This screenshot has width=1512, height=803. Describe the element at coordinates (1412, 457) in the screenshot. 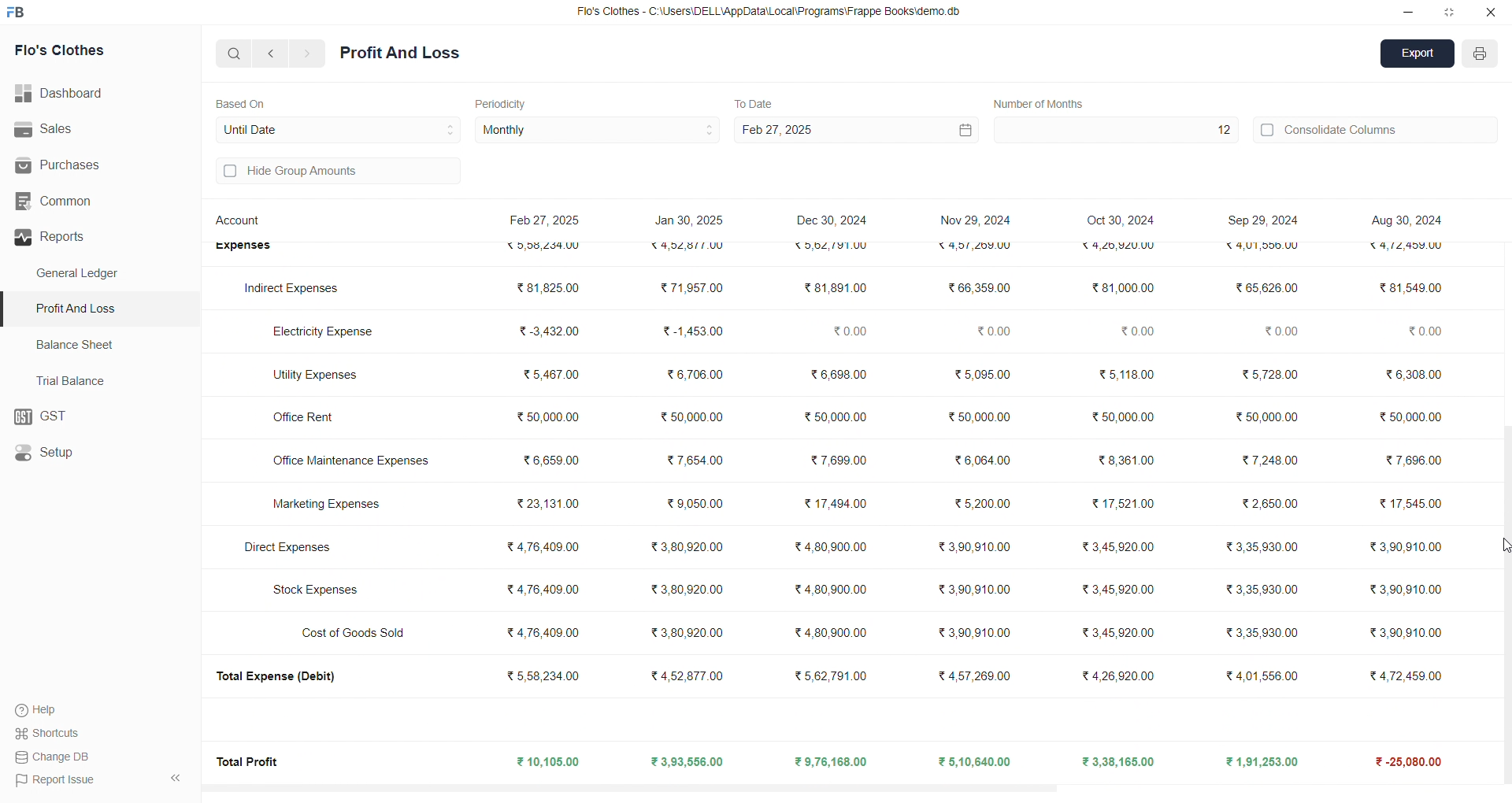

I see `37,696.00` at that location.